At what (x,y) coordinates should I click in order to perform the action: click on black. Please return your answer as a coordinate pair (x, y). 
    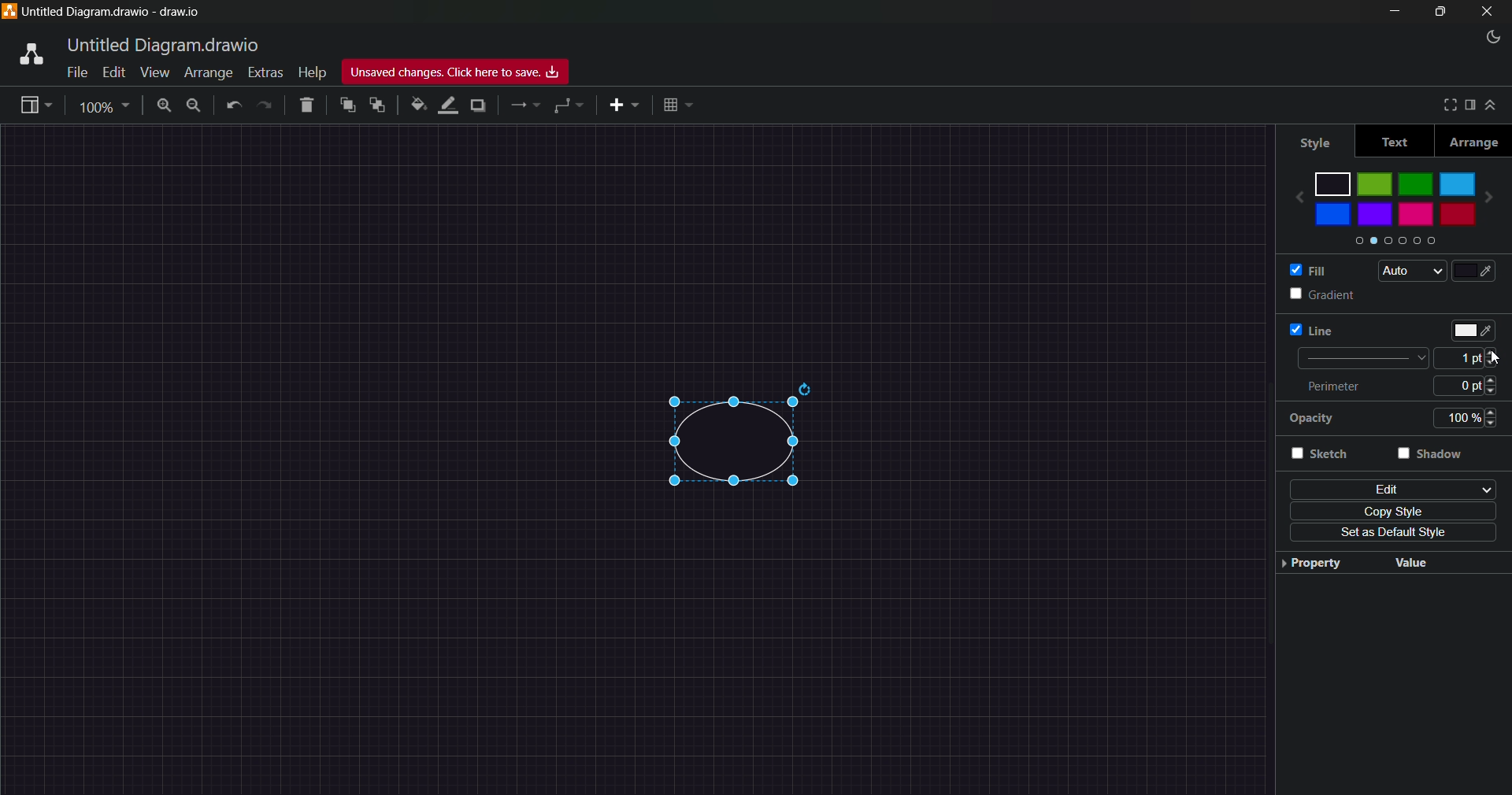
    Looking at the image, I should click on (1332, 183).